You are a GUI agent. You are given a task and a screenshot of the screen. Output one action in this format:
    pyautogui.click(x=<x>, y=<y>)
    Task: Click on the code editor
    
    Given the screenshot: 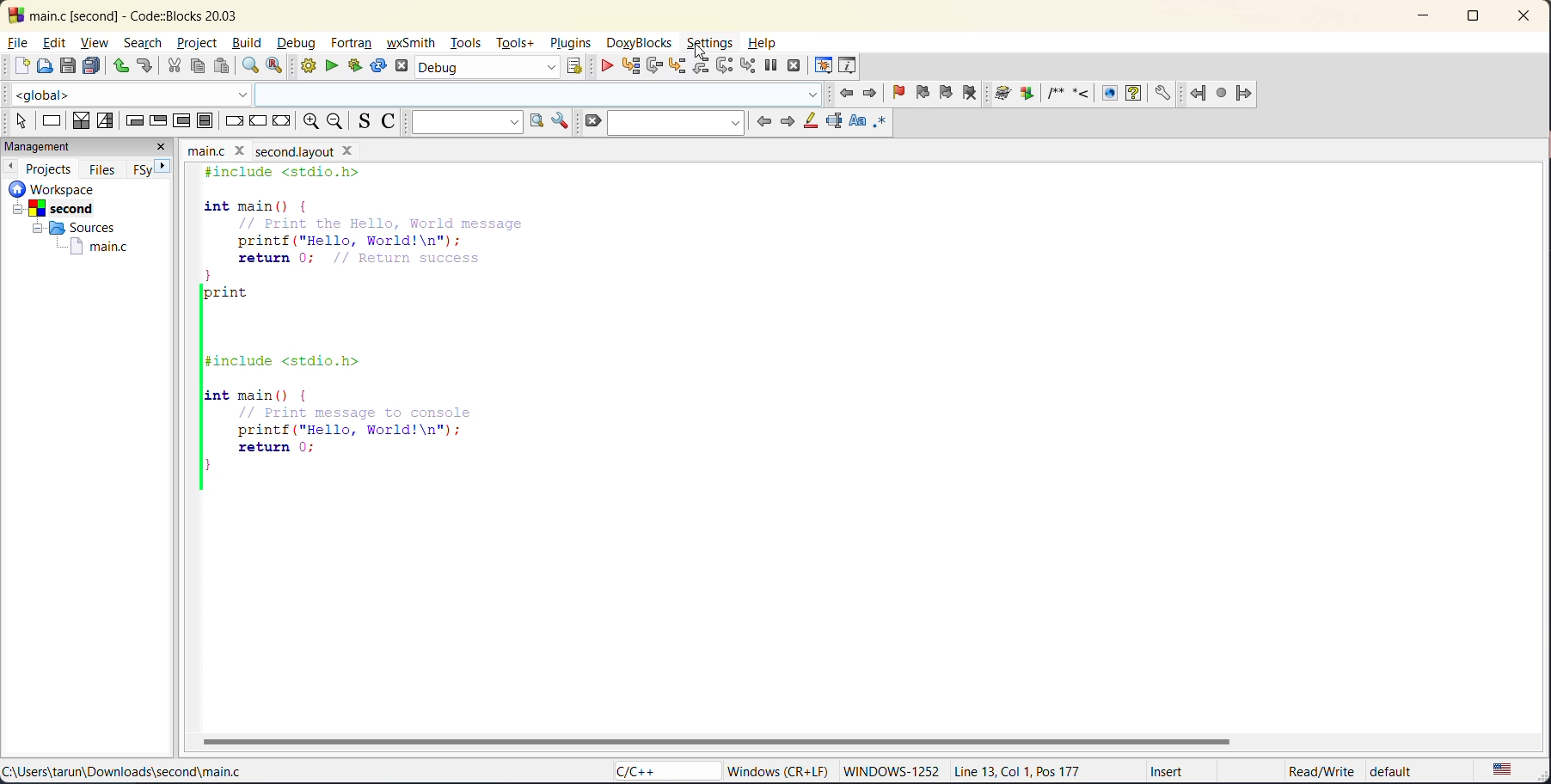 What is the action you would take?
    pyautogui.click(x=386, y=328)
    